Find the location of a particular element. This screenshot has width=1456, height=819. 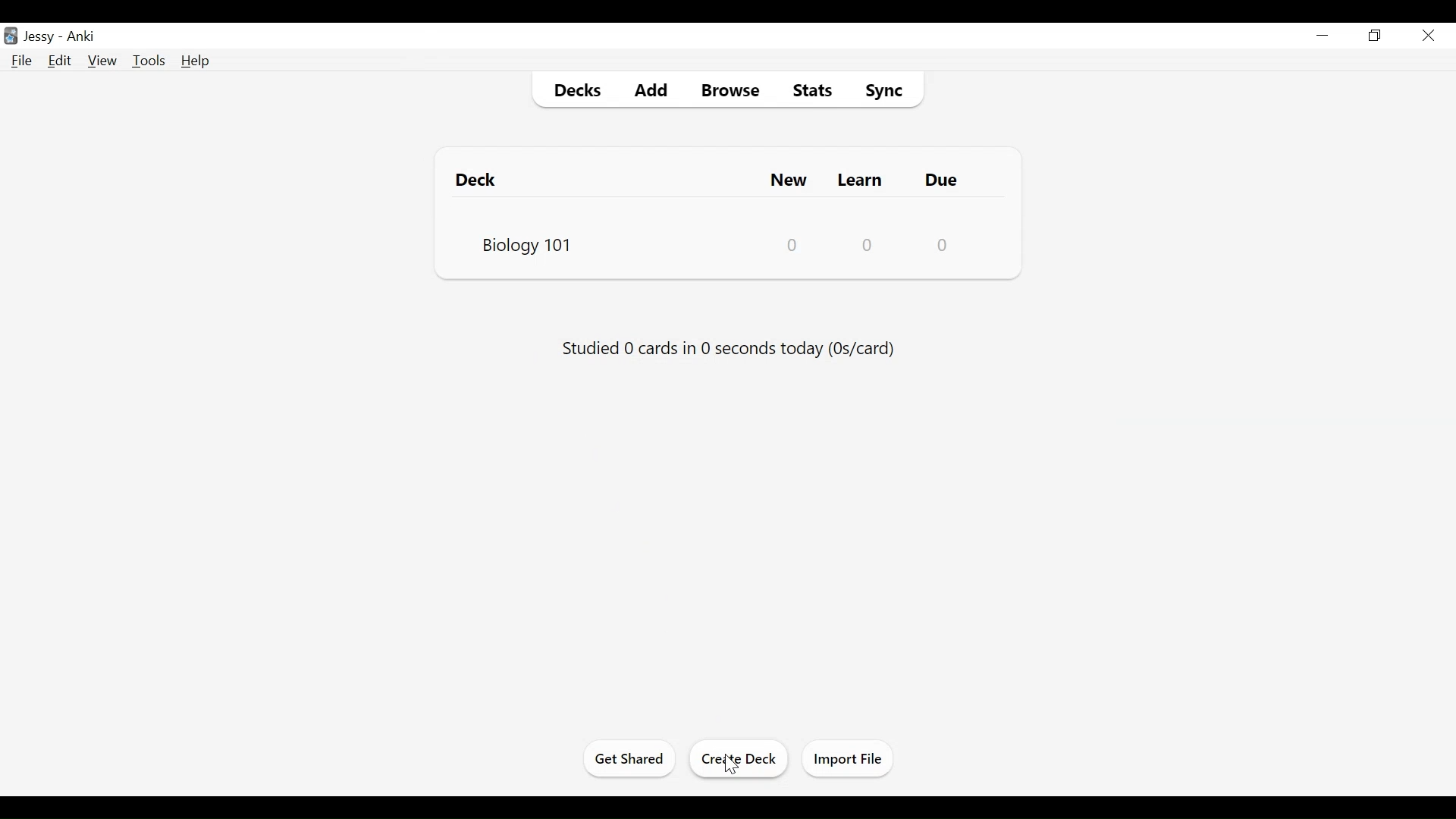

Learn Cards is located at coordinates (862, 179).